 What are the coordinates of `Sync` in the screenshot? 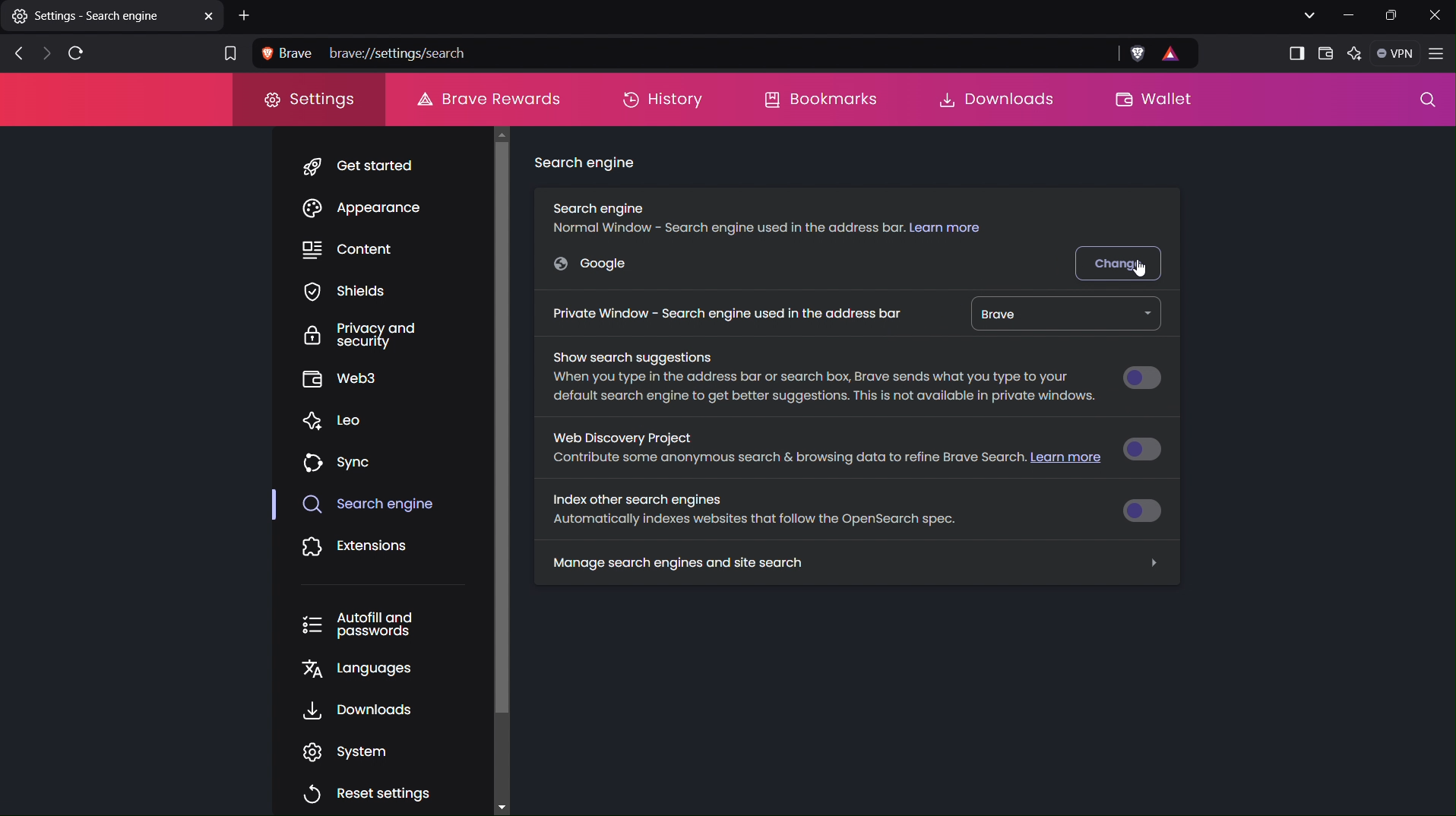 It's located at (339, 461).